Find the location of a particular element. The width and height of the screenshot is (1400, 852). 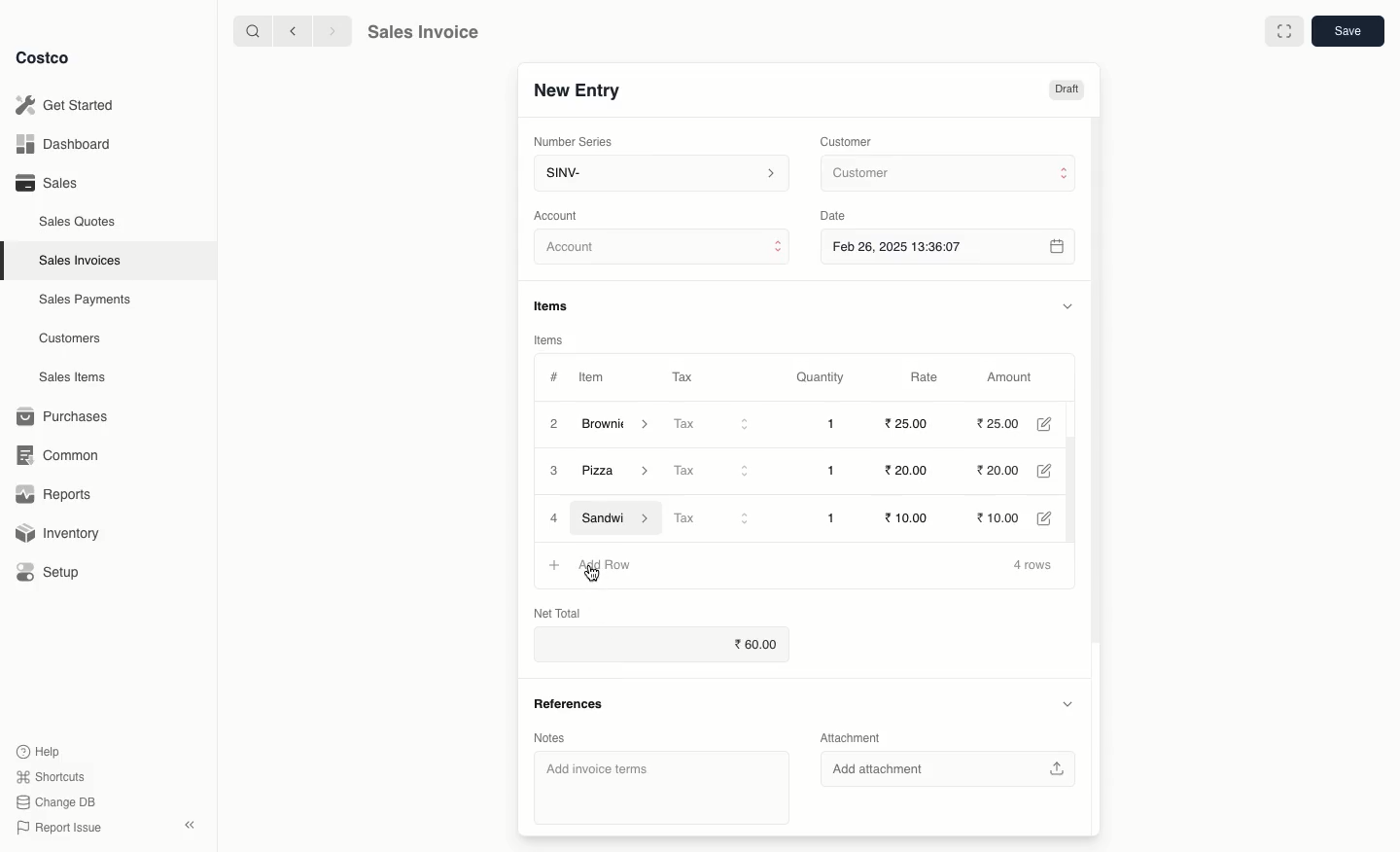

Costco is located at coordinates (48, 58).